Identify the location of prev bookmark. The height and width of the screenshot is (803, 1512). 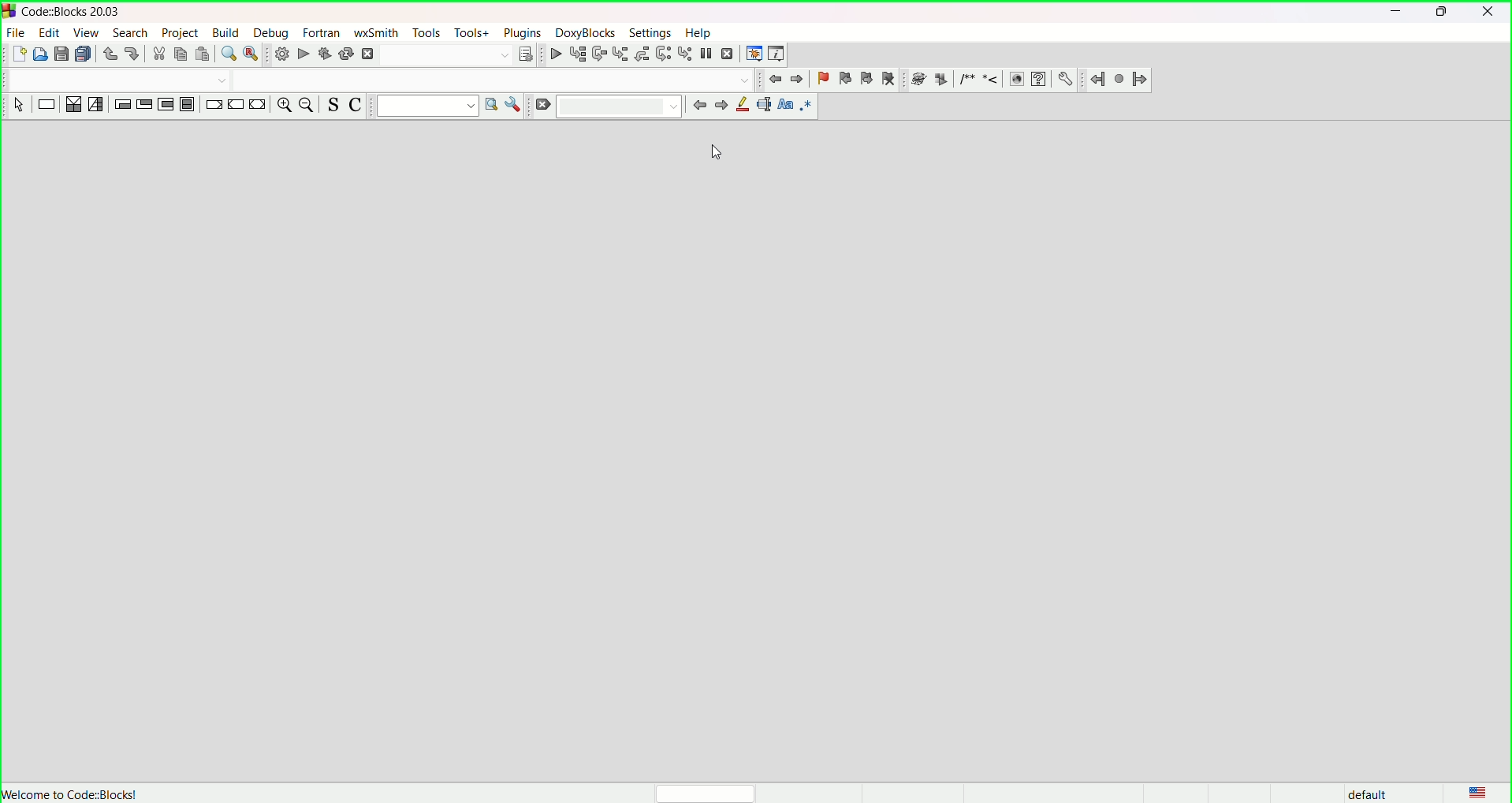
(845, 77).